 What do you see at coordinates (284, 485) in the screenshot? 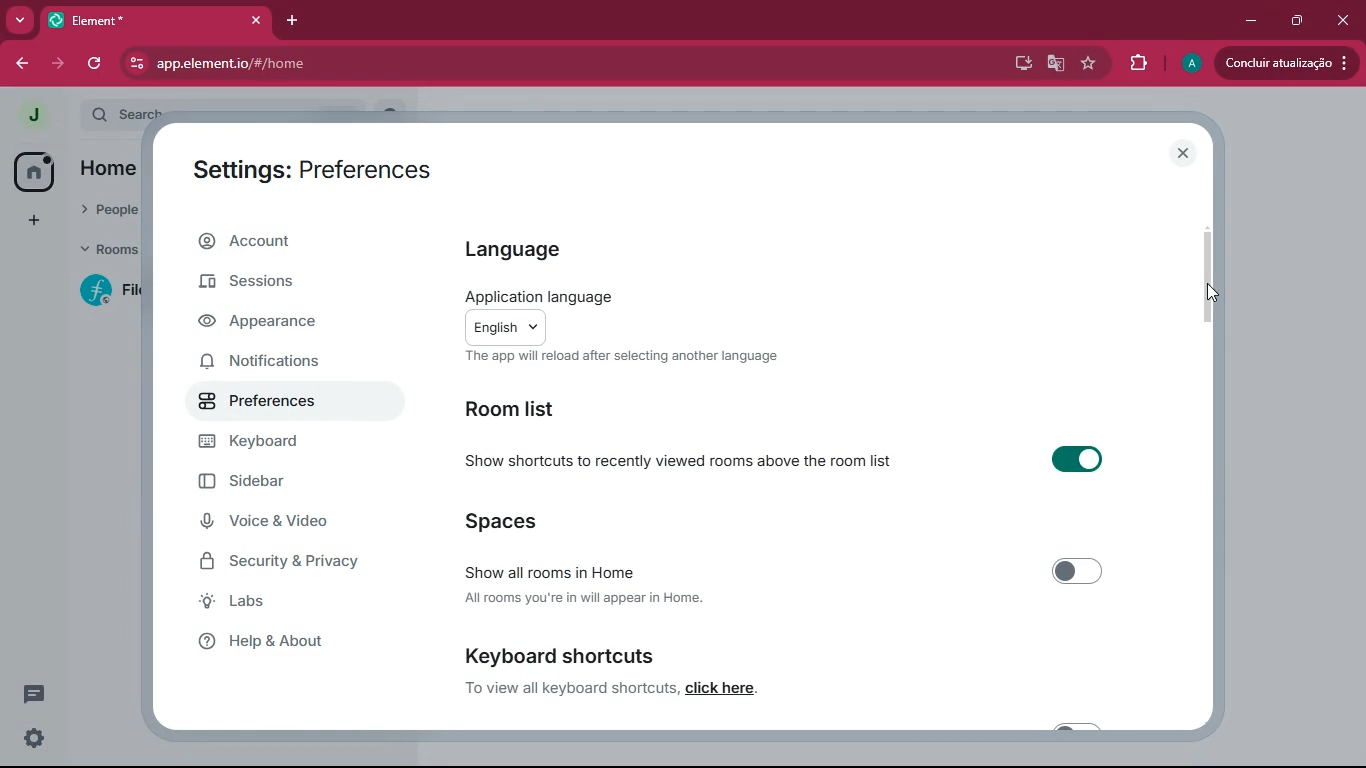
I see `sidebar` at bounding box center [284, 485].